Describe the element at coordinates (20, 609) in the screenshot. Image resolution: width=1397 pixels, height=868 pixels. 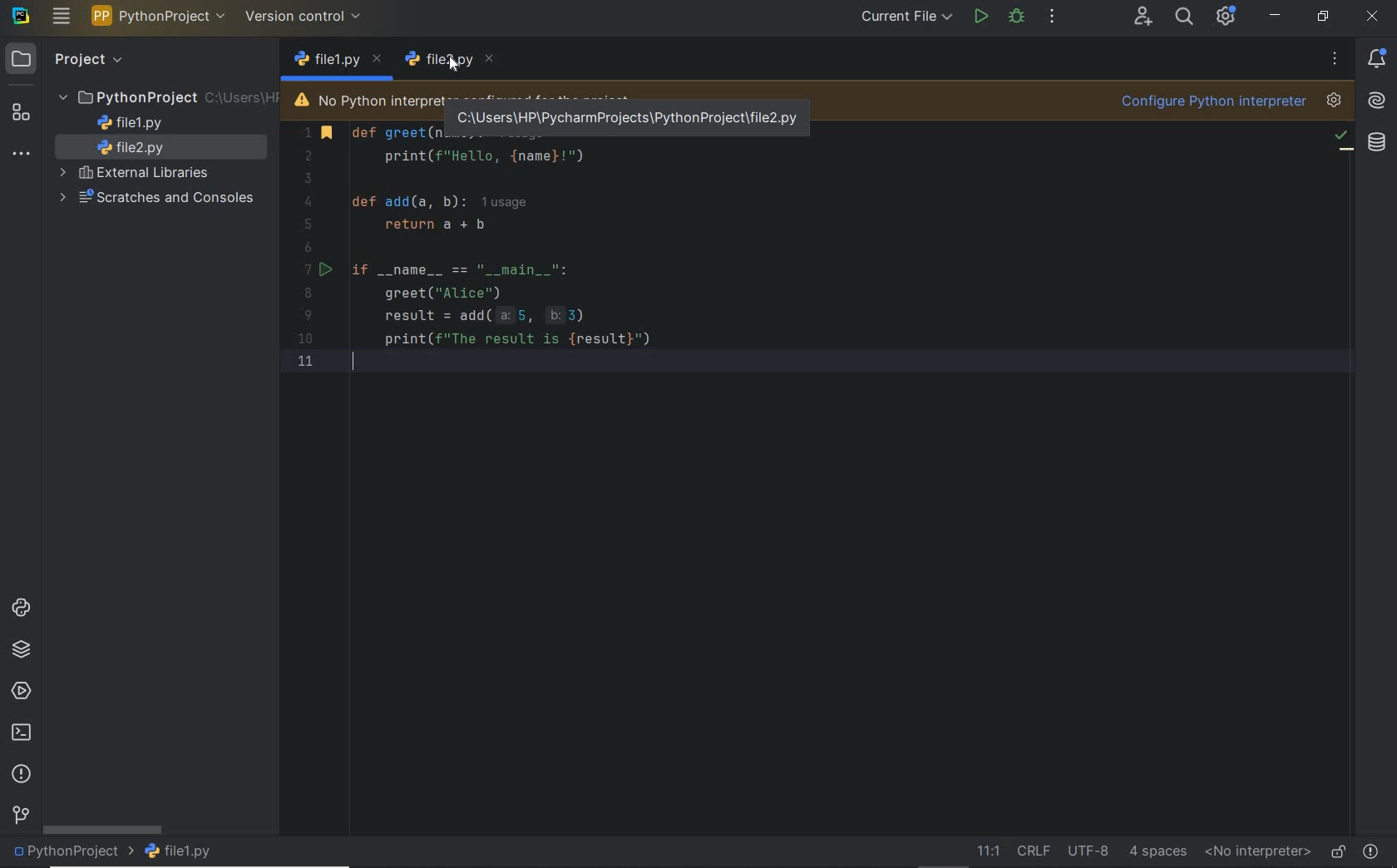
I see `python consoles` at that location.